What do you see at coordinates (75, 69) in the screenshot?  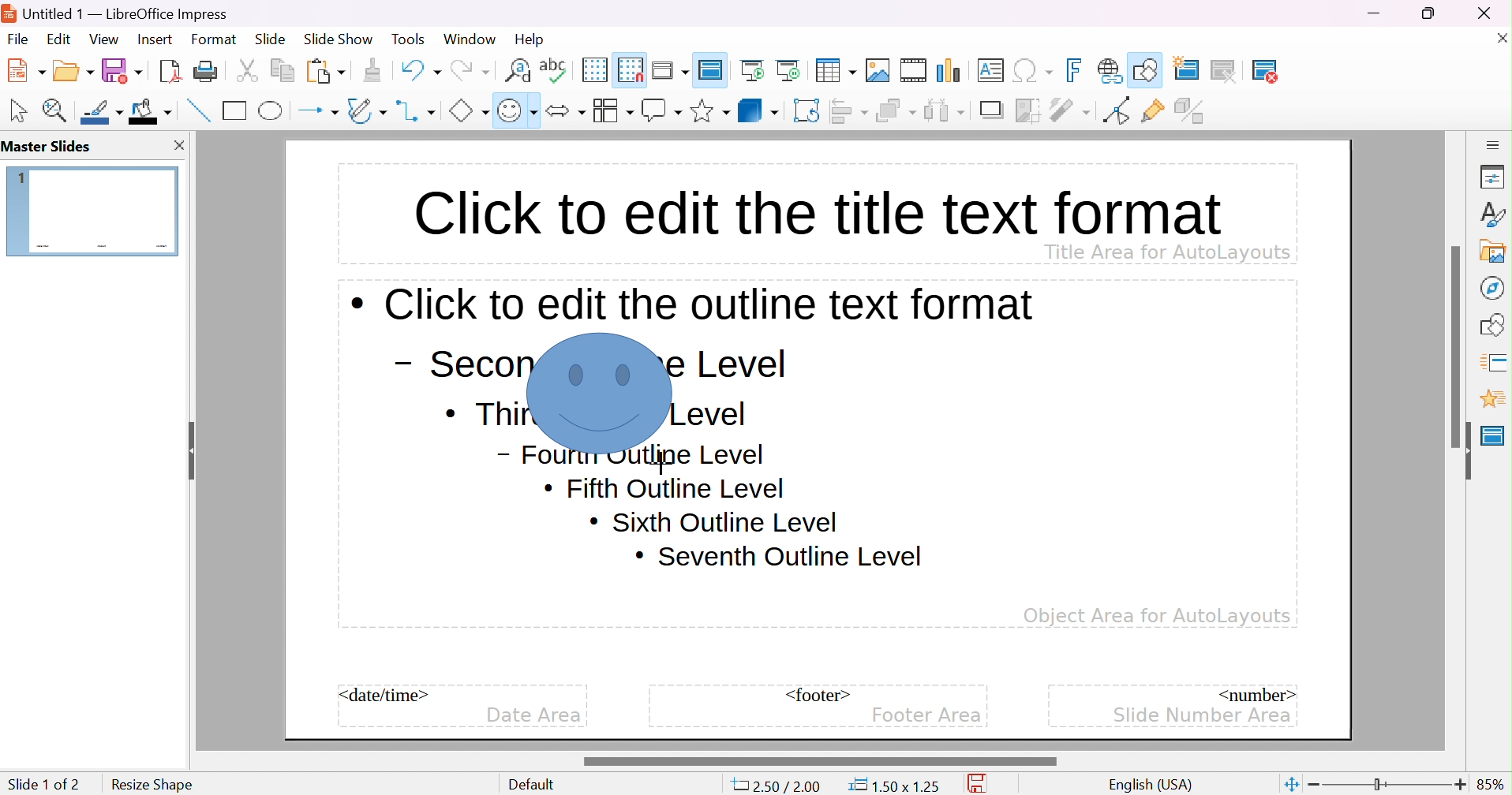 I see `open` at bounding box center [75, 69].